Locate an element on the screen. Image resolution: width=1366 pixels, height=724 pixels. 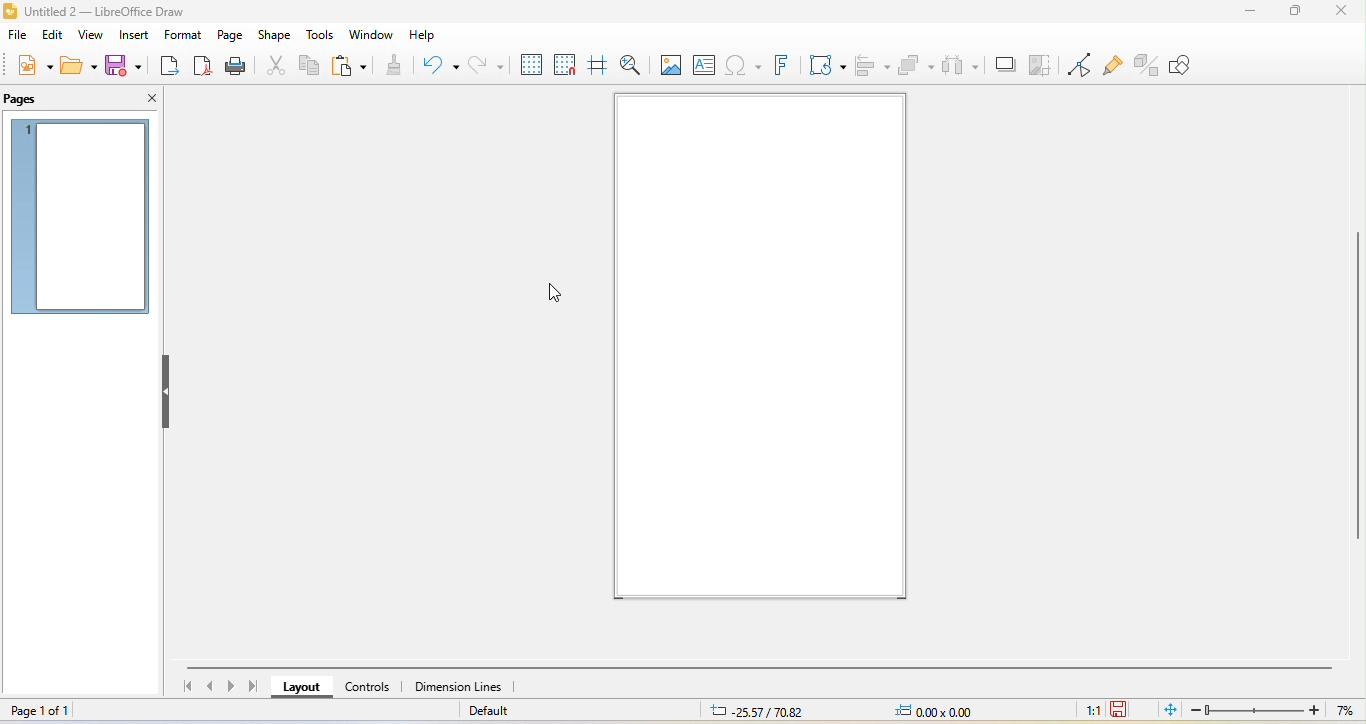
export is located at coordinates (170, 67).